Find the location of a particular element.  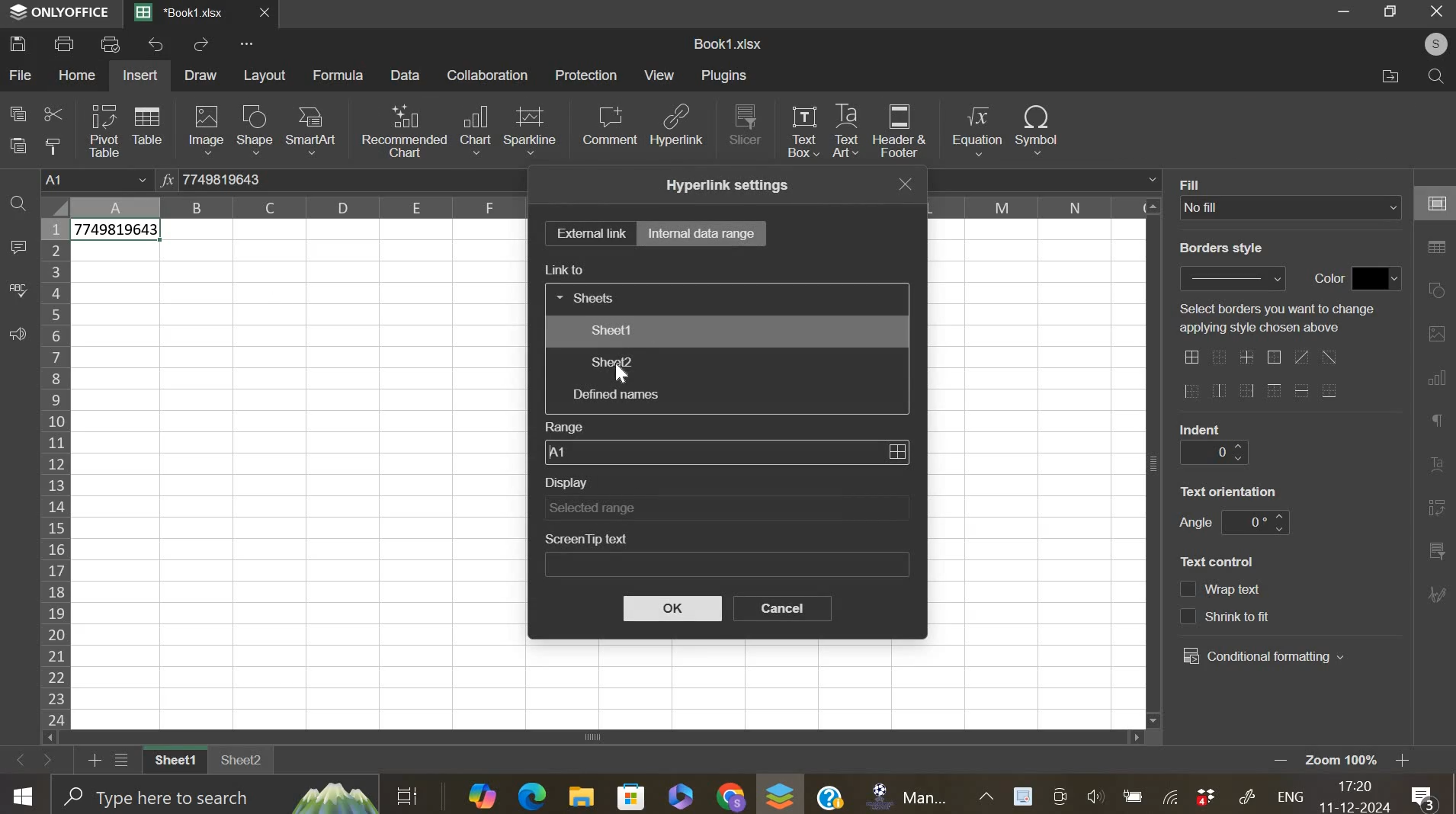

Minimize is located at coordinates (1346, 14).